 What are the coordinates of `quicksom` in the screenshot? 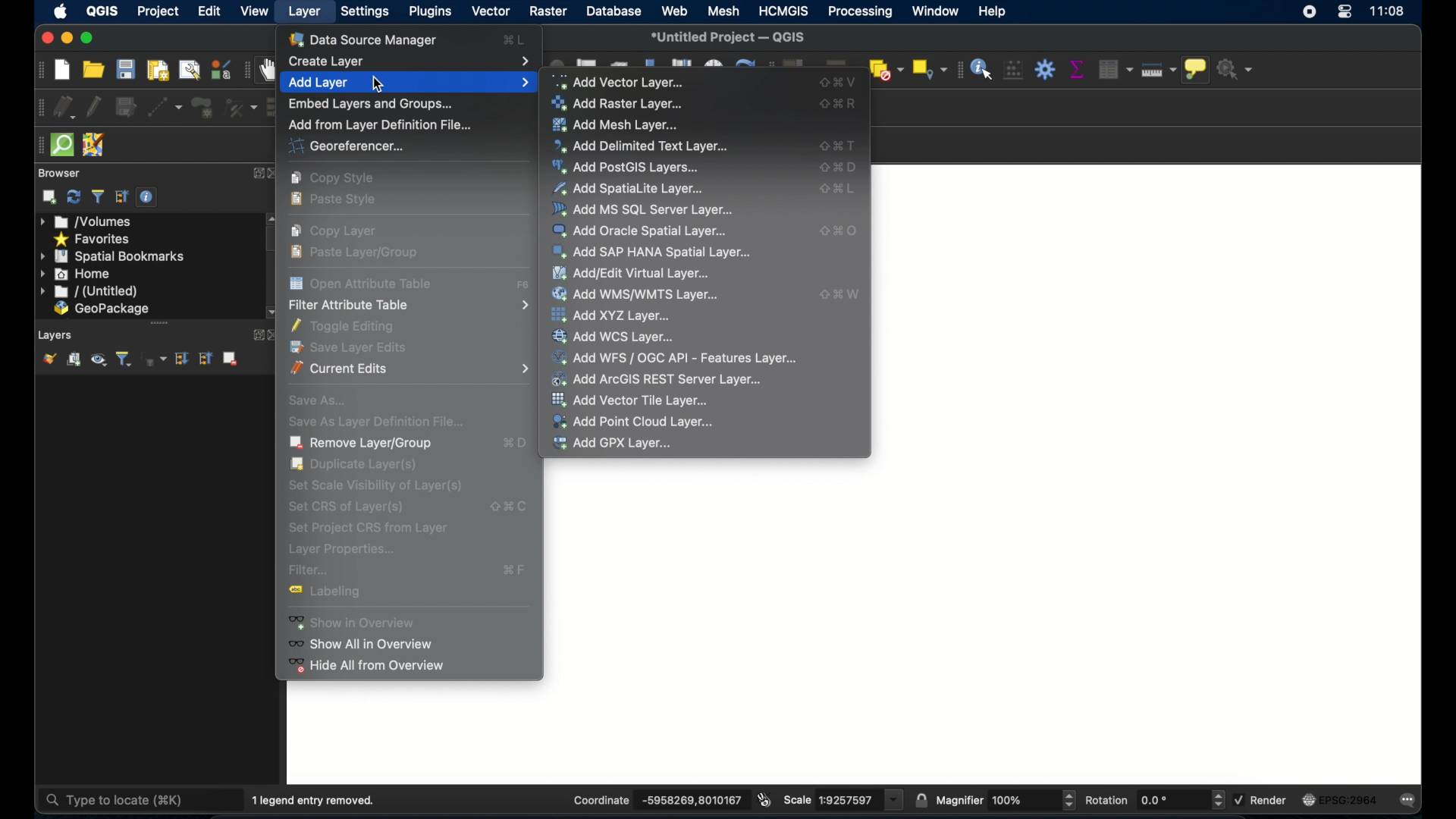 It's located at (62, 145).